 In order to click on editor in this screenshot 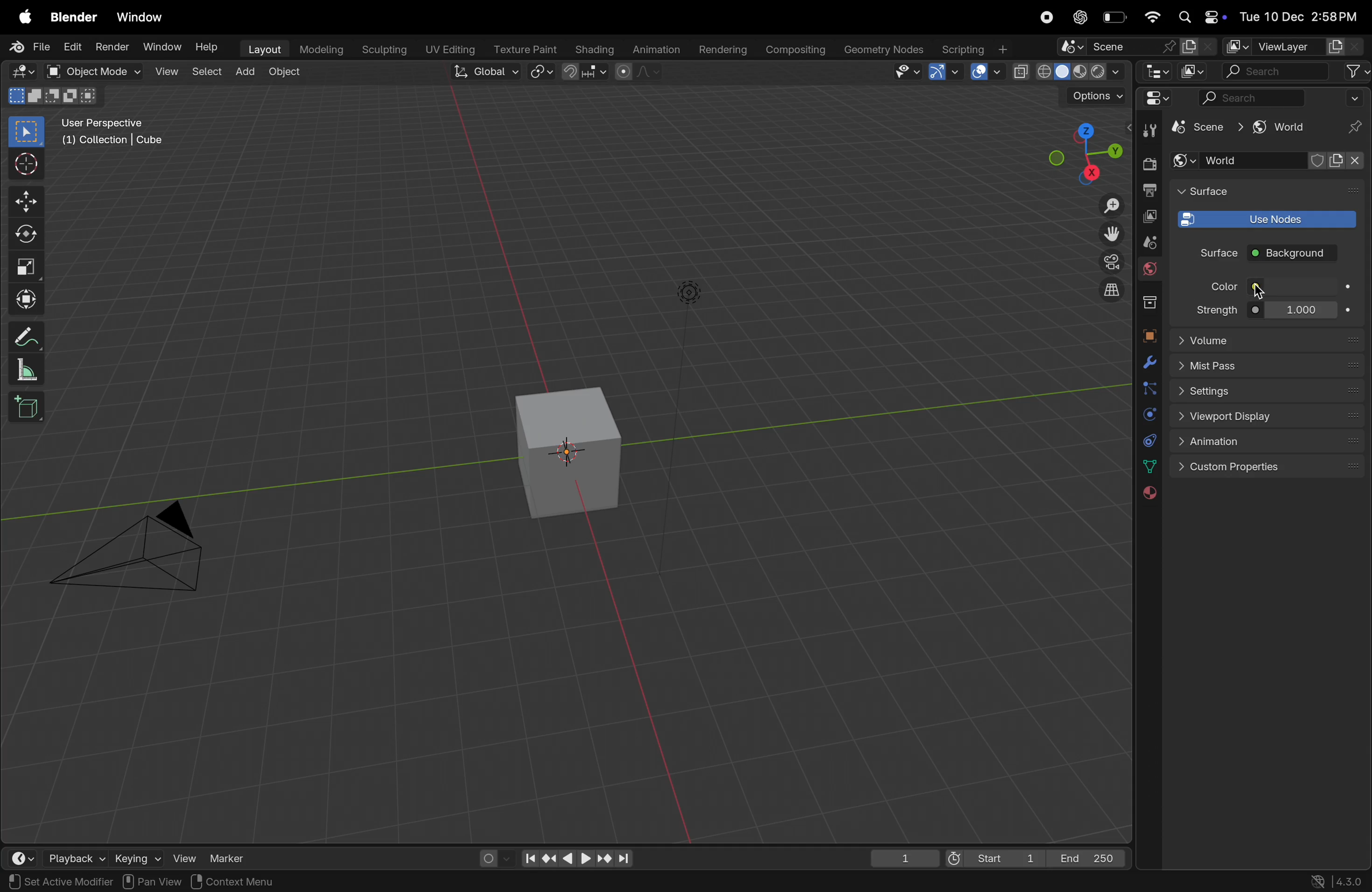, I will do `click(1156, 73)`.